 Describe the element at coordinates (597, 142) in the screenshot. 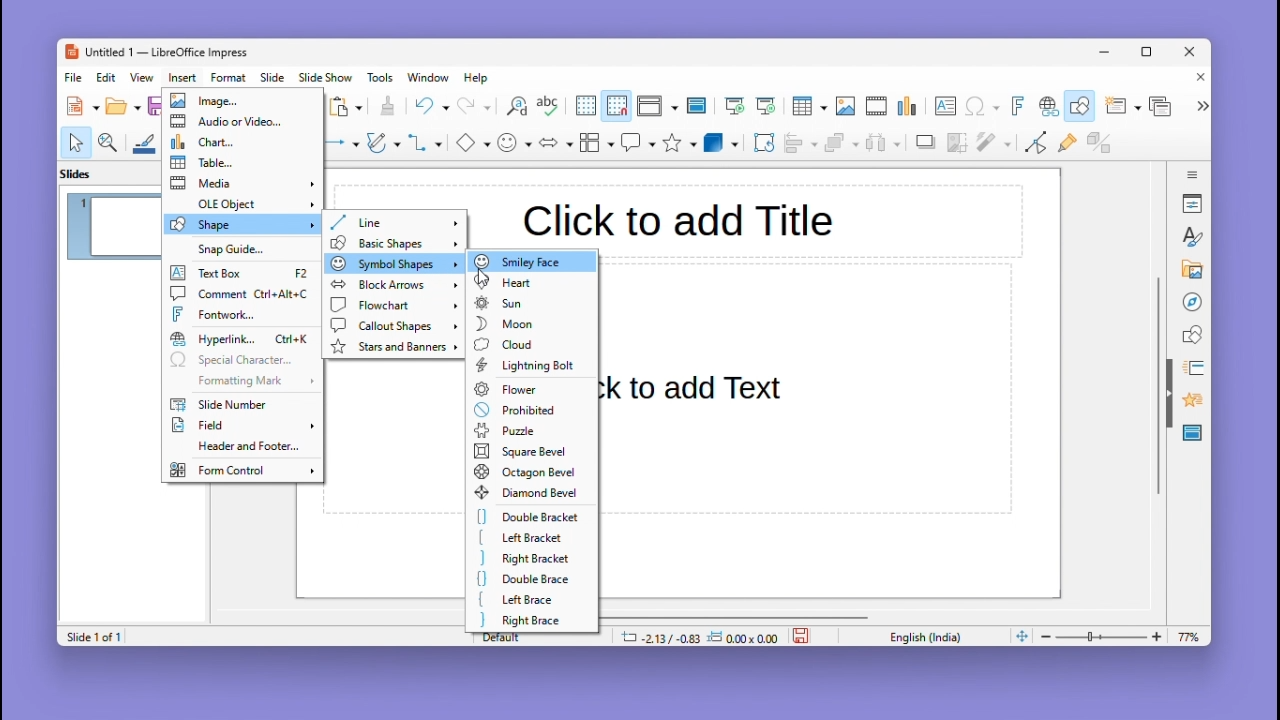

I see `Blocks` at that location.